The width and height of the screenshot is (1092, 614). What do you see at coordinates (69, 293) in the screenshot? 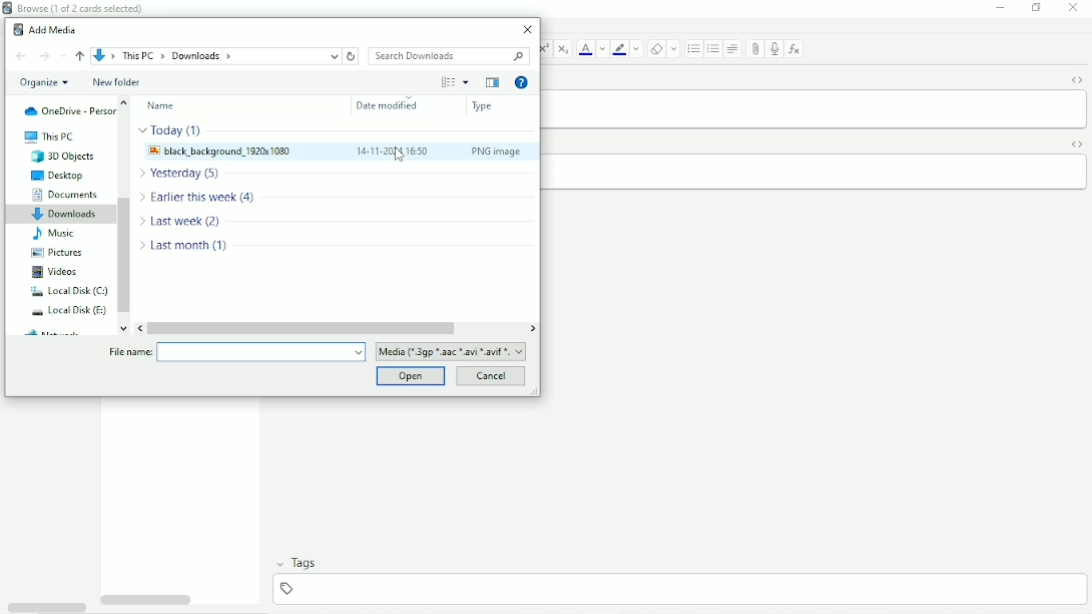
I see `Local Disk (C:)` at bounding box center [69, 293].